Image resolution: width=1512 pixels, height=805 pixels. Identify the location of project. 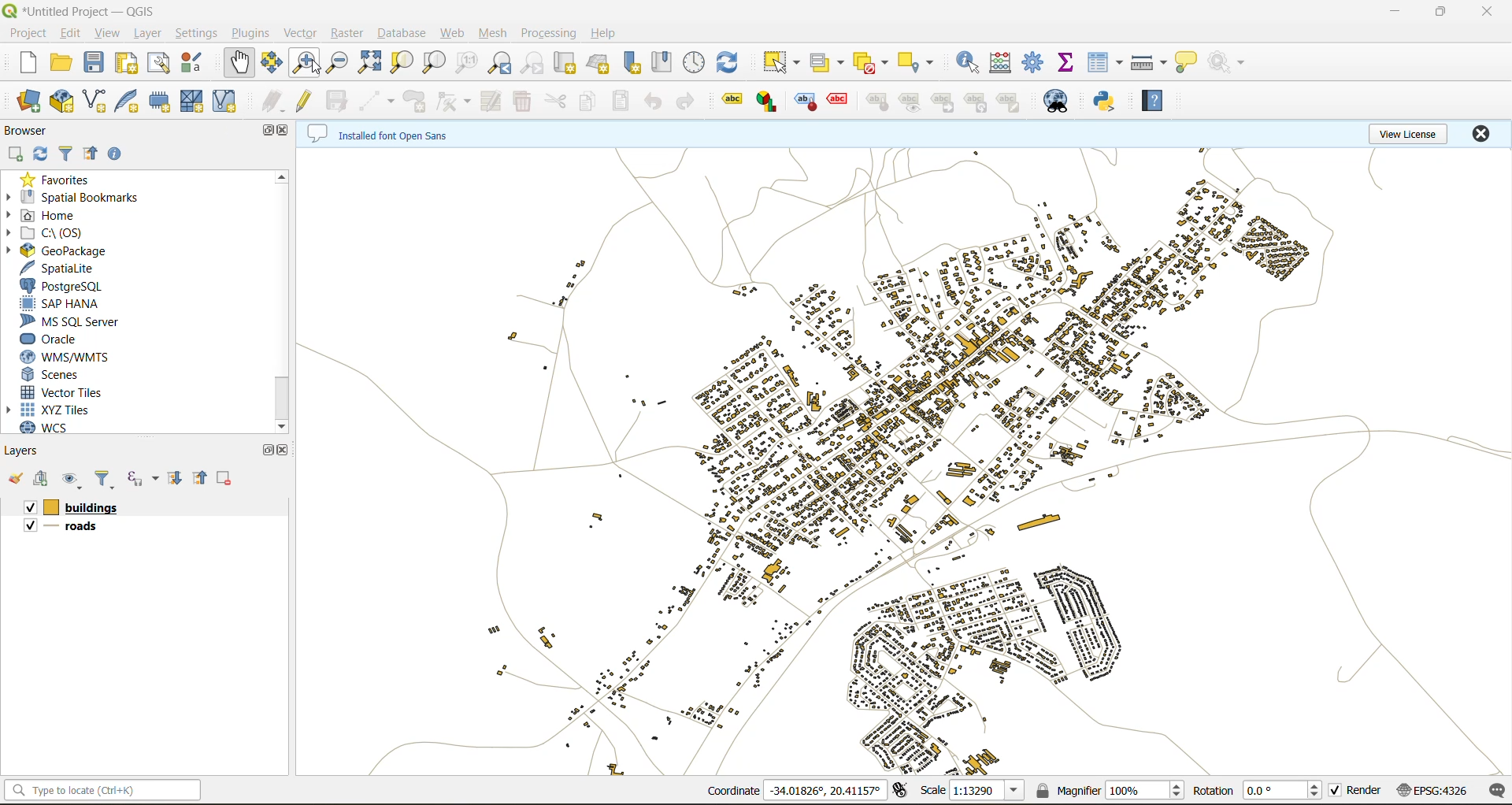
(29, 35).